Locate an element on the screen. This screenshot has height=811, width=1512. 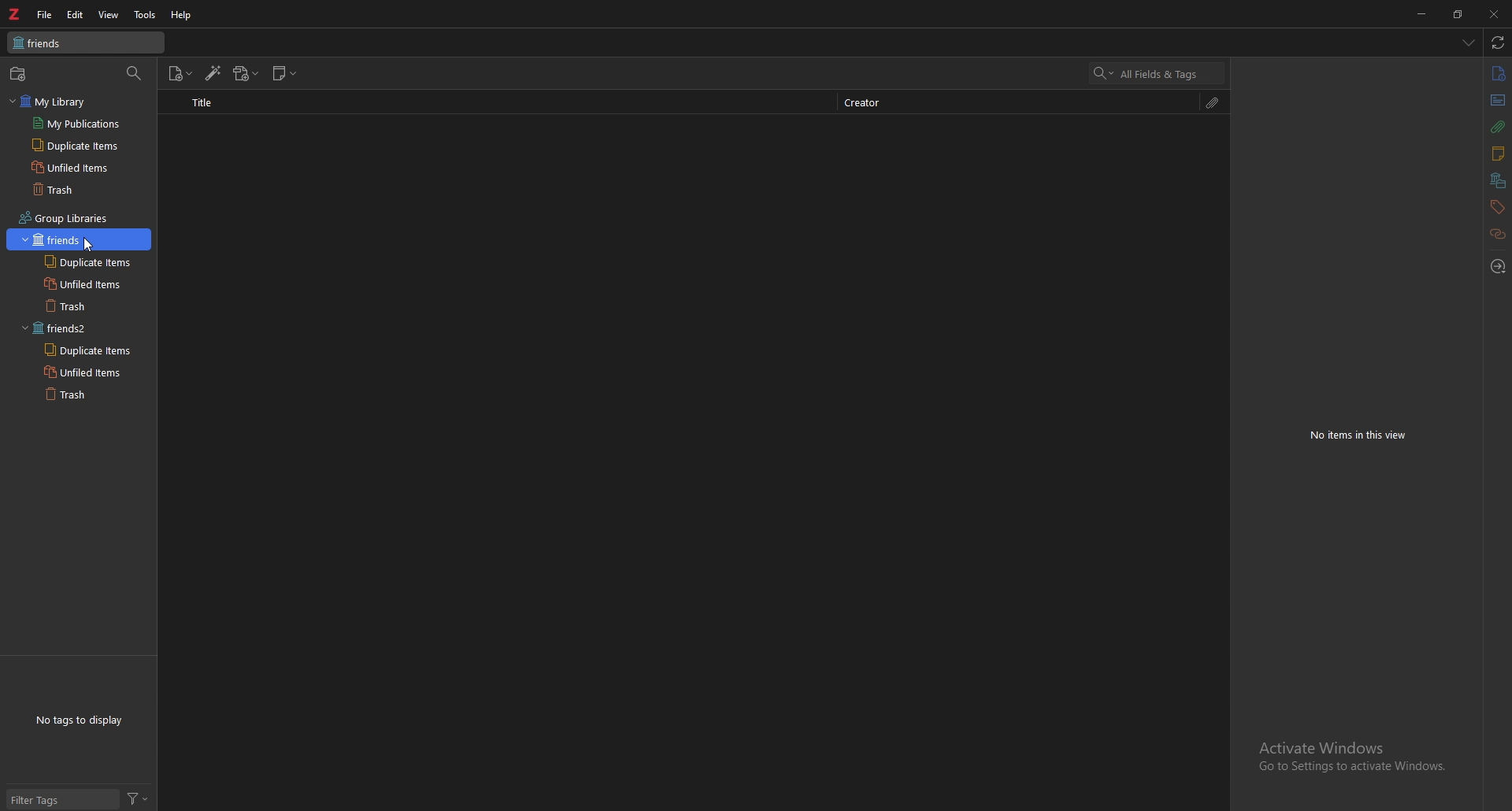
edit is located at coordinates (76, 14).